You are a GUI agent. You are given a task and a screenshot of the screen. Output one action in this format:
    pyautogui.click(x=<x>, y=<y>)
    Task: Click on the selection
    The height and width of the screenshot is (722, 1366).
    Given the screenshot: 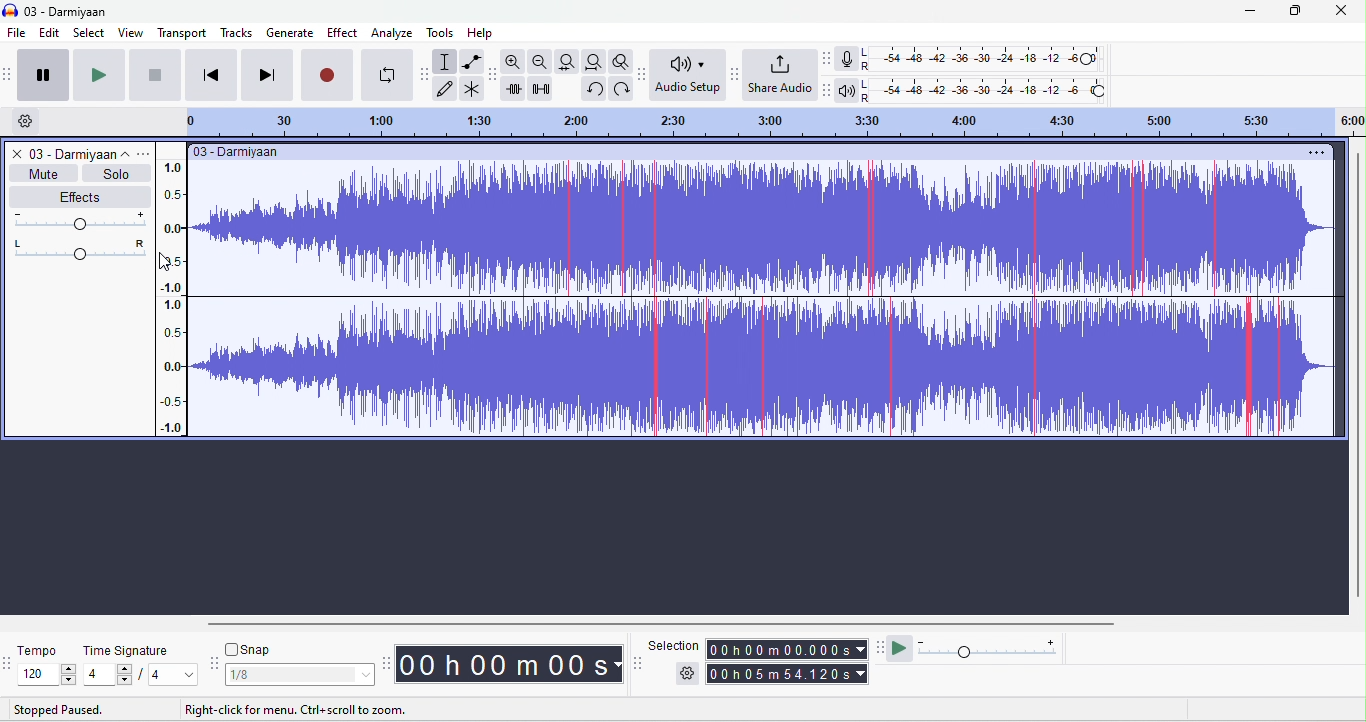 What is the action you would take?
    pyautogui.click(x=674, y=644)
    